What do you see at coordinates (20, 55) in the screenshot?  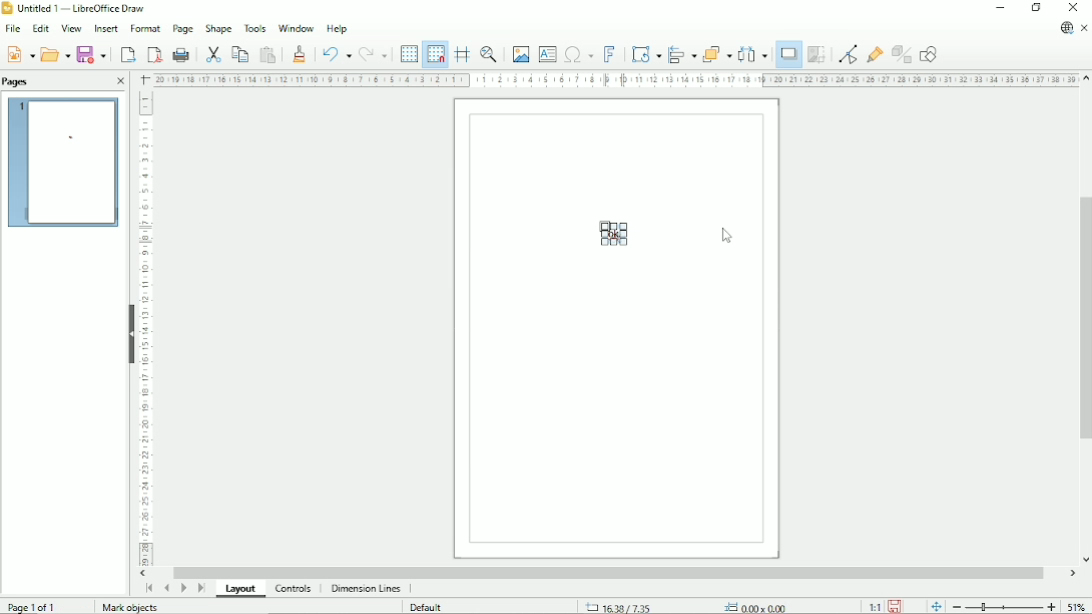 I see `New` at bounding box center [20, 55].